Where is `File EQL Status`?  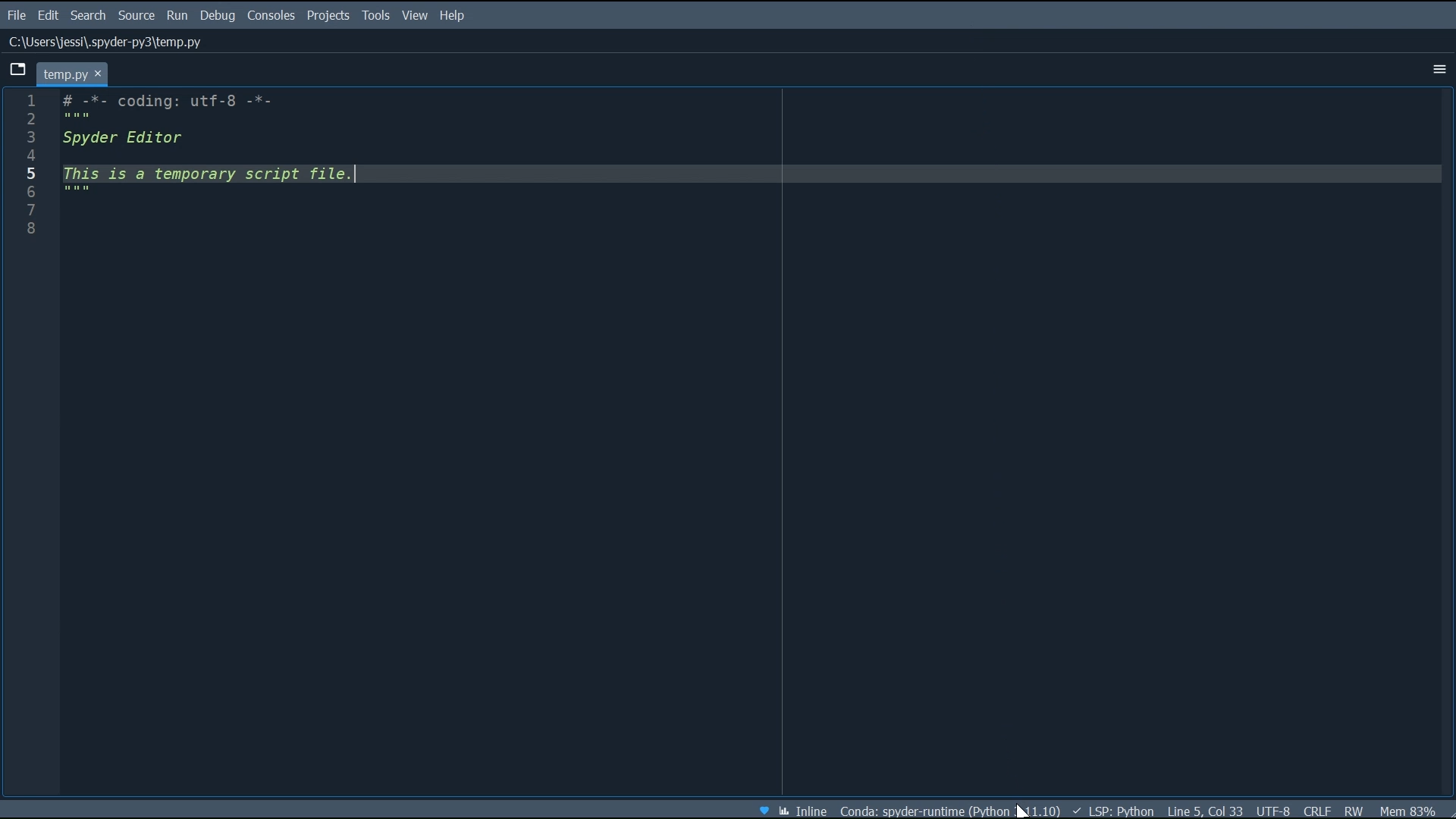 File EQL Status is located at coordinates (1318, 811).